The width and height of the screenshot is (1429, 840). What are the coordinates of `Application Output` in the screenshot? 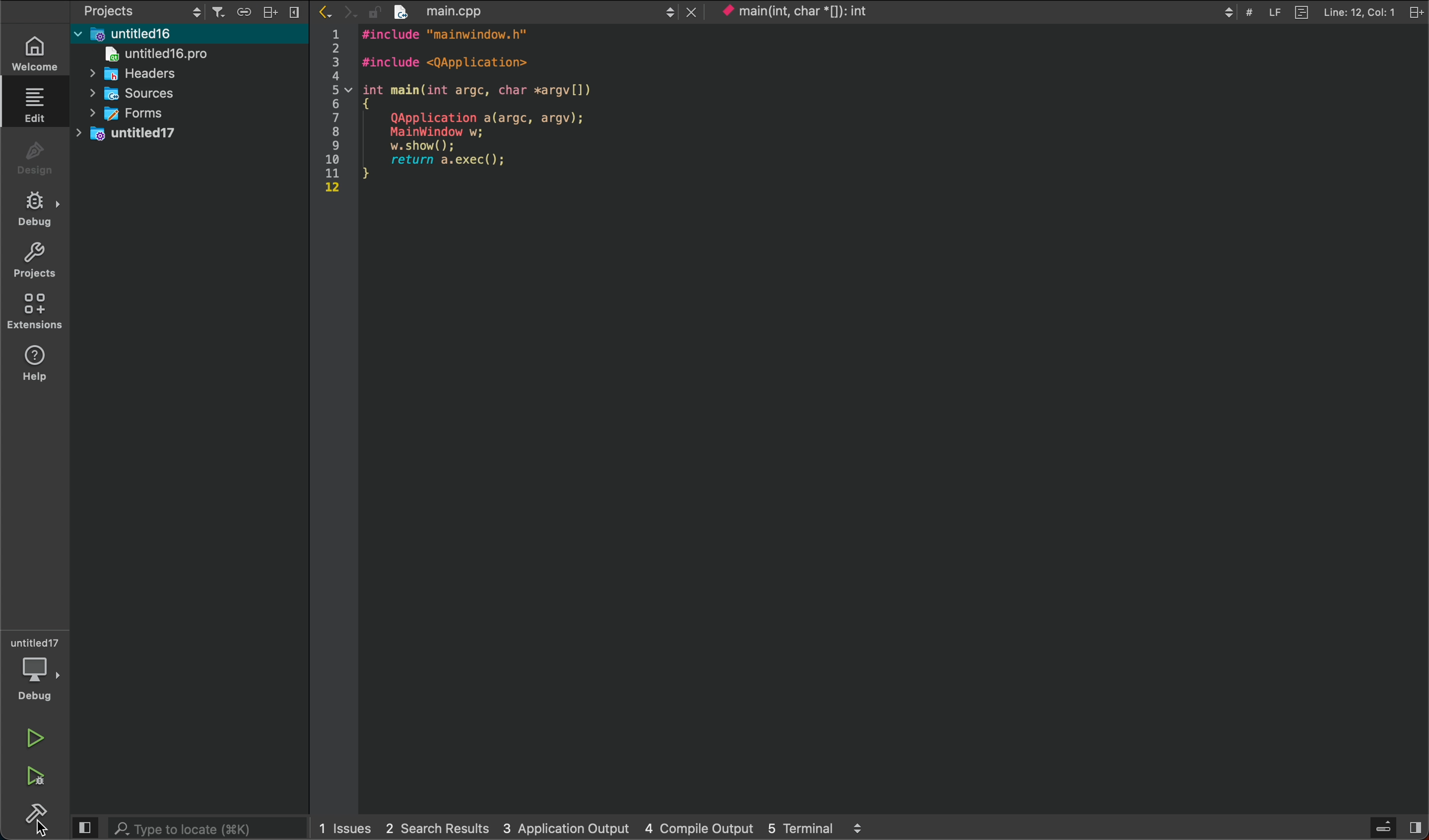 It's located at (564, 827).